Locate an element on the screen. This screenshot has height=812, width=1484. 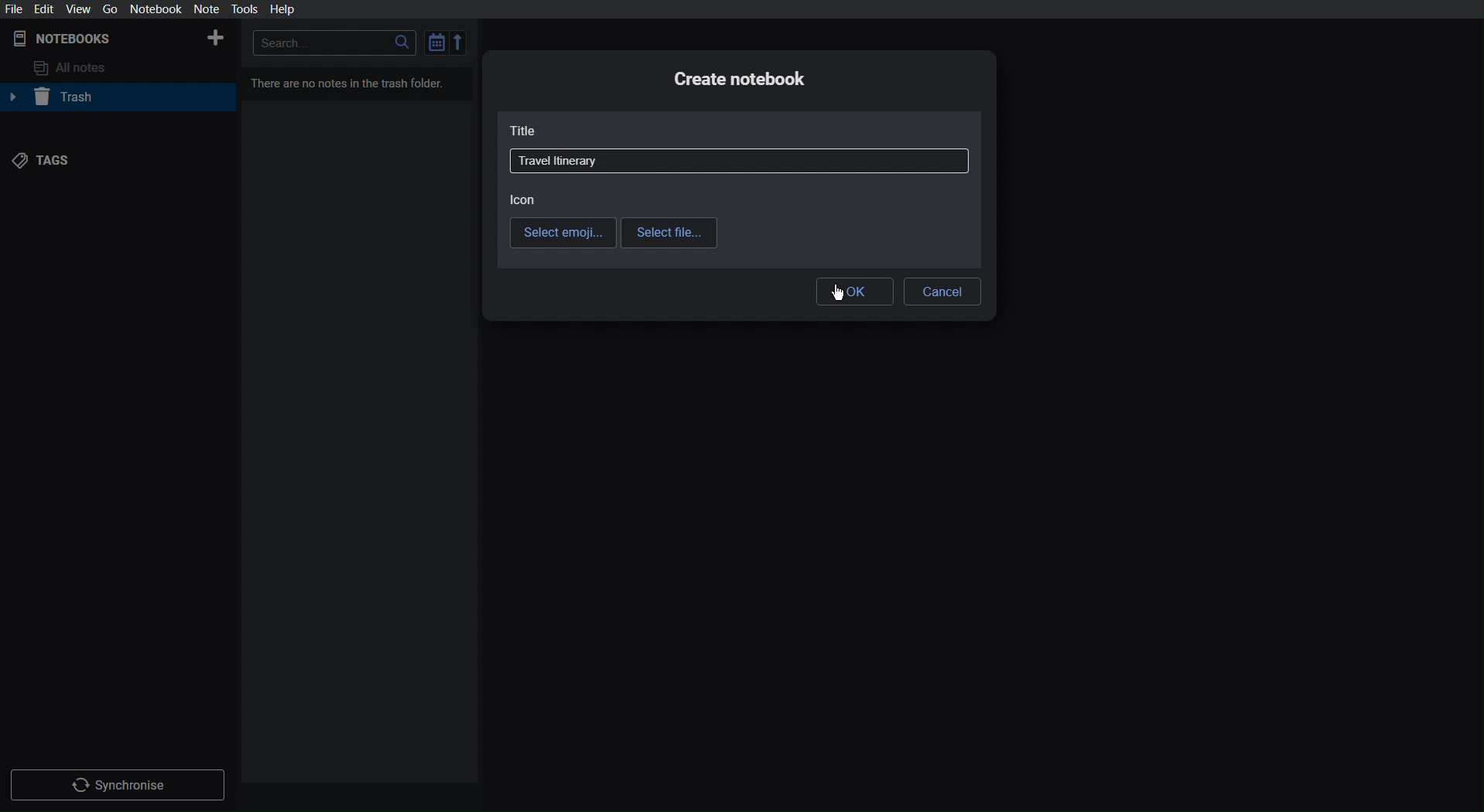
All notes is located at coordinates (68, 68).